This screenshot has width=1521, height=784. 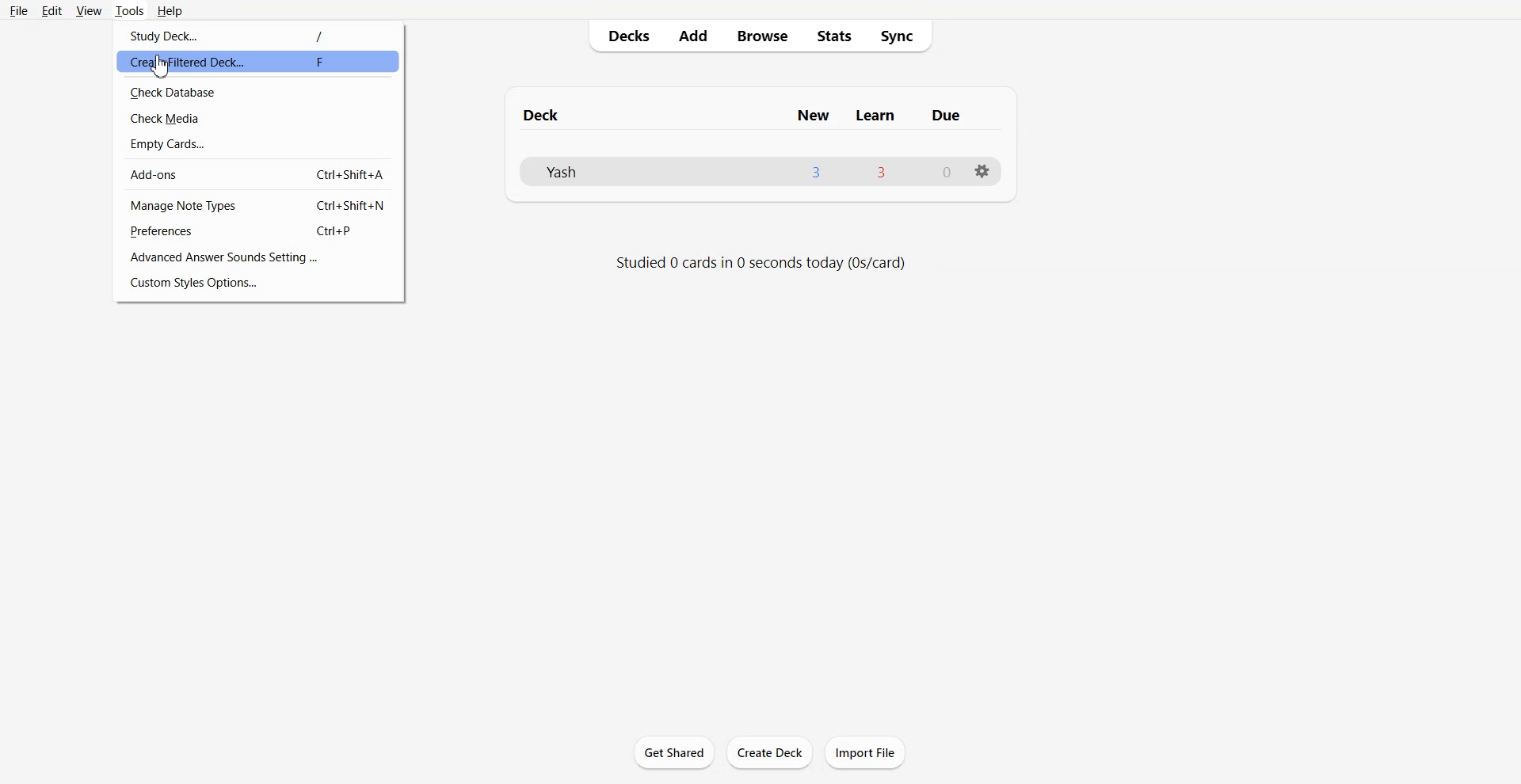 What do you see at coordinates (51, 10) in the screenshot?
I see `Edit` at bounding box center [51, 10].